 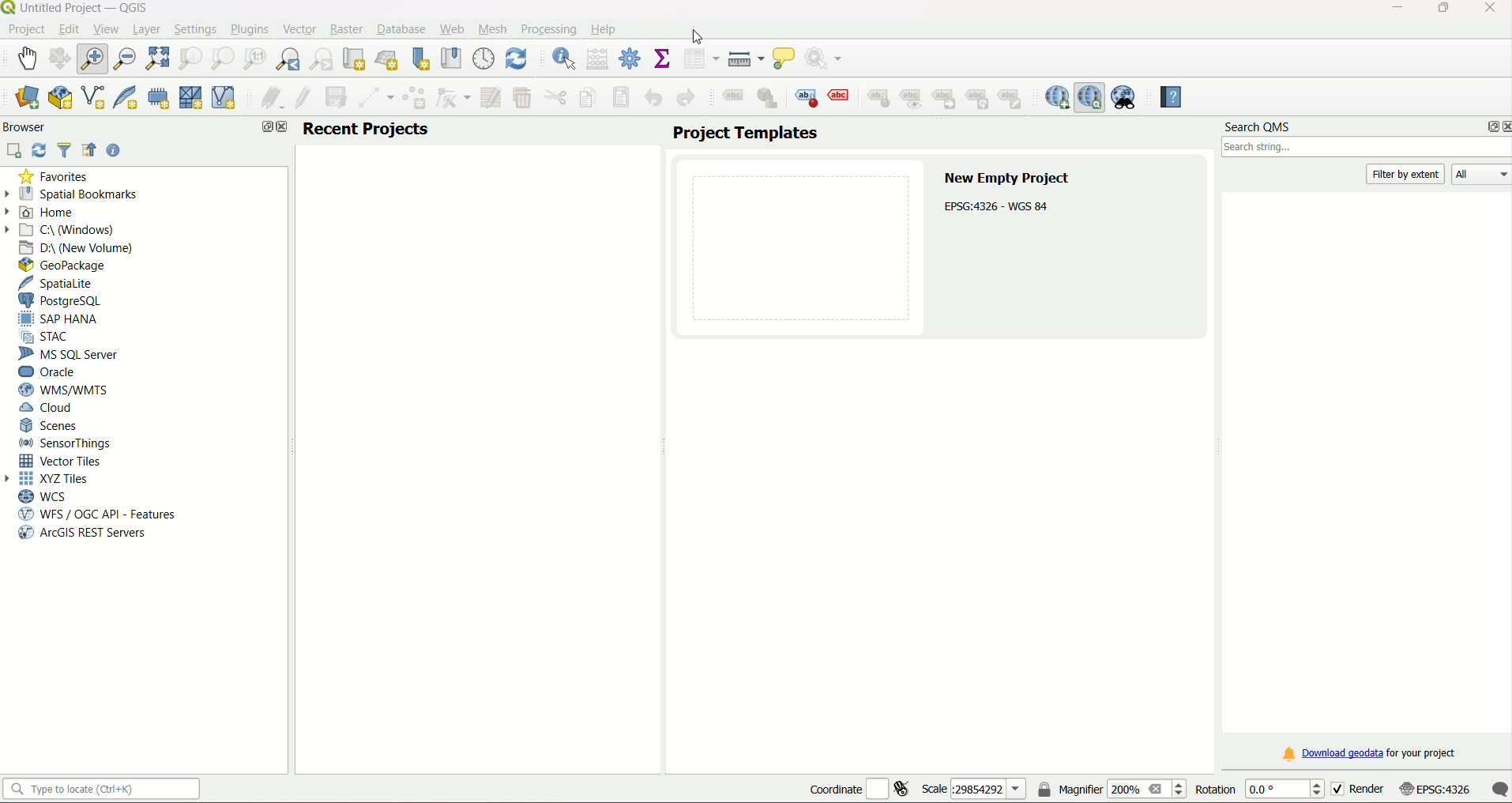 What do you see at coordinates (403, 30) in the screenshot?
I see `database` at bounding box center [403, 30].